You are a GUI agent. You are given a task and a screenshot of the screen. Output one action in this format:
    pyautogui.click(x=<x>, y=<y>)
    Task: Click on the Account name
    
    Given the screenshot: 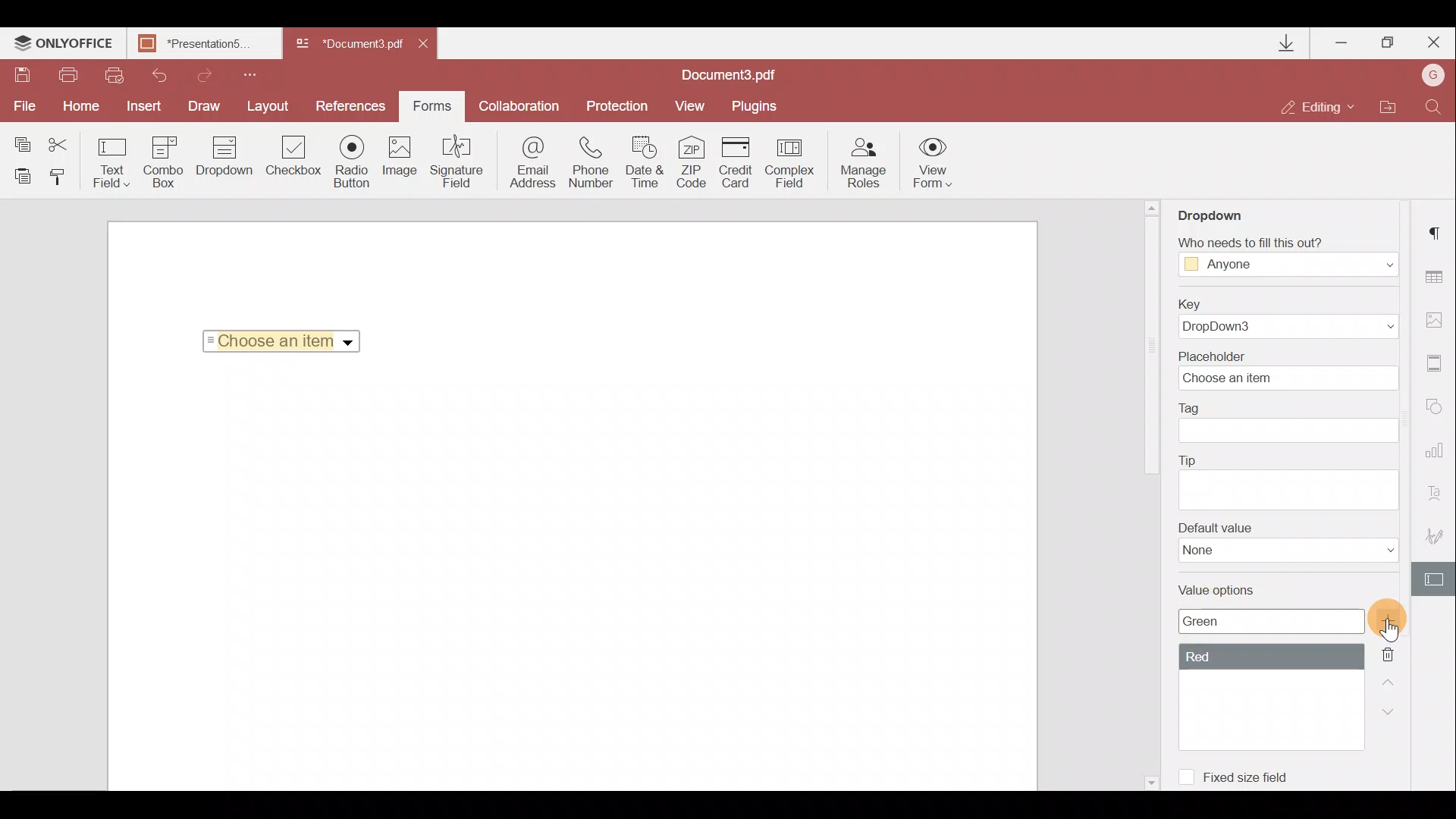 What is the action you would take?
    pyautogui.click(x=1433, y=74)
    